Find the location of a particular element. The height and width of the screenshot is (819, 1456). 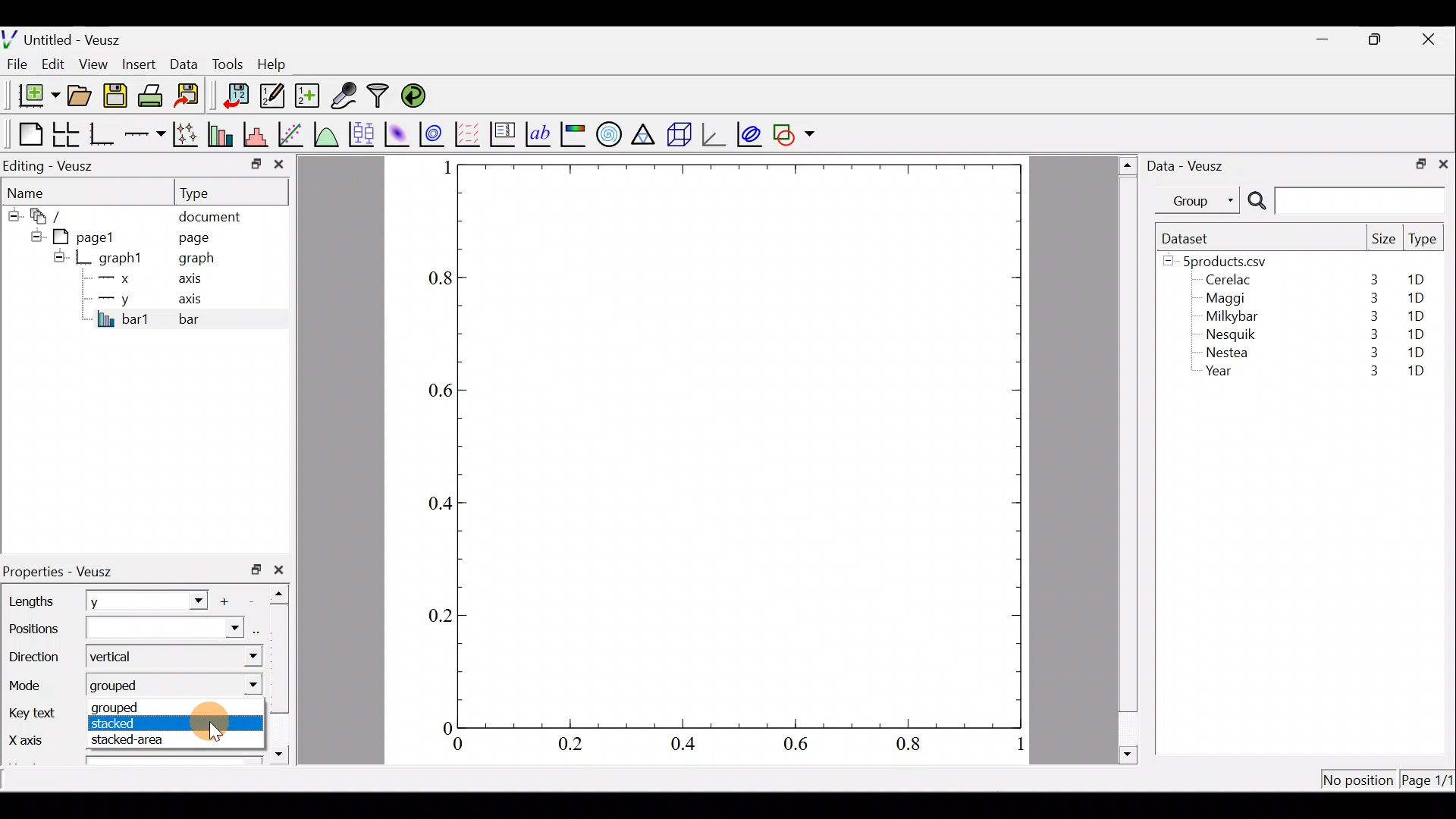

Insert is located at coordinates (141, 64).